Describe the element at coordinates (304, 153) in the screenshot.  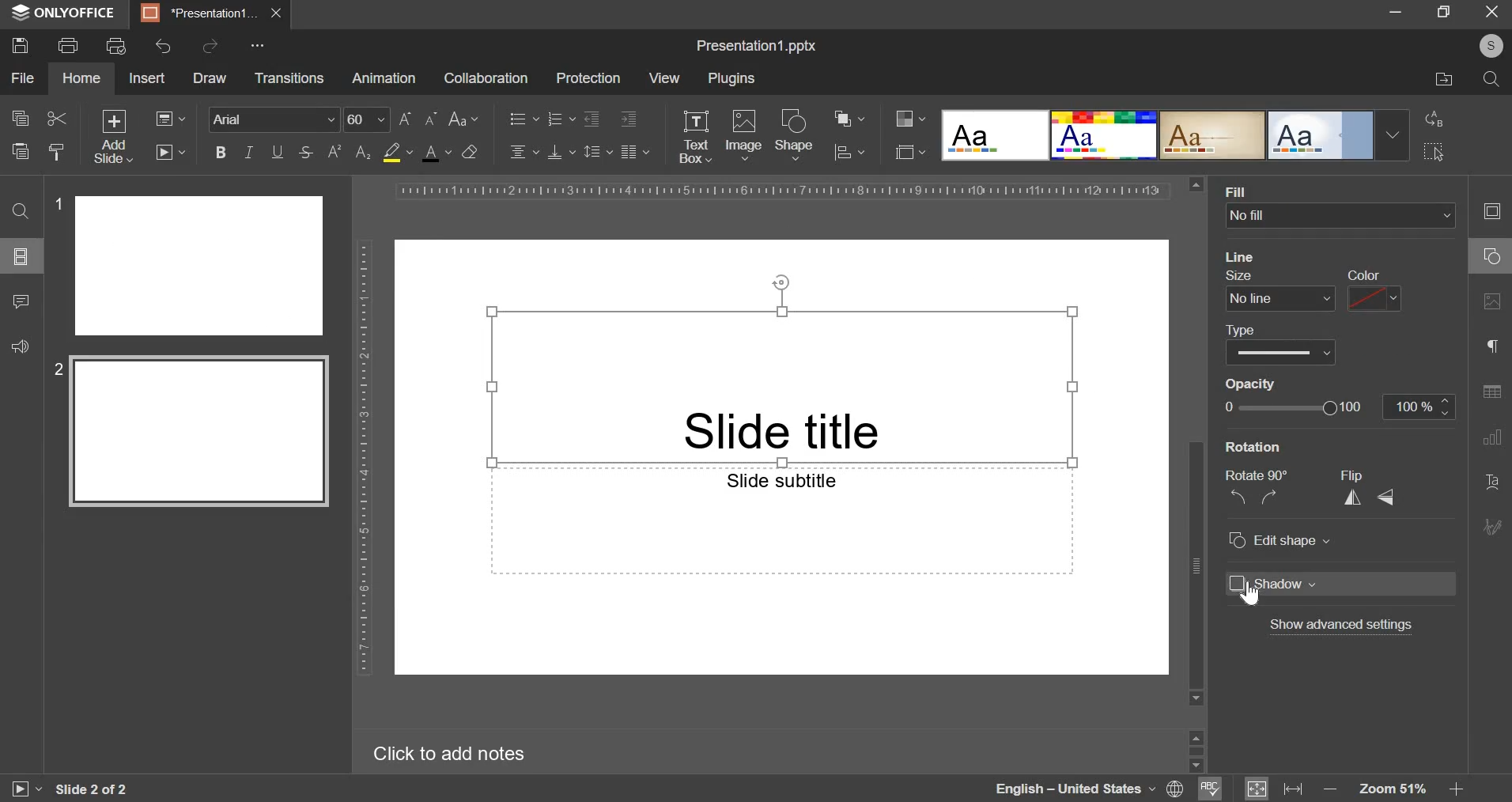
I see `strikethrough` at that location.